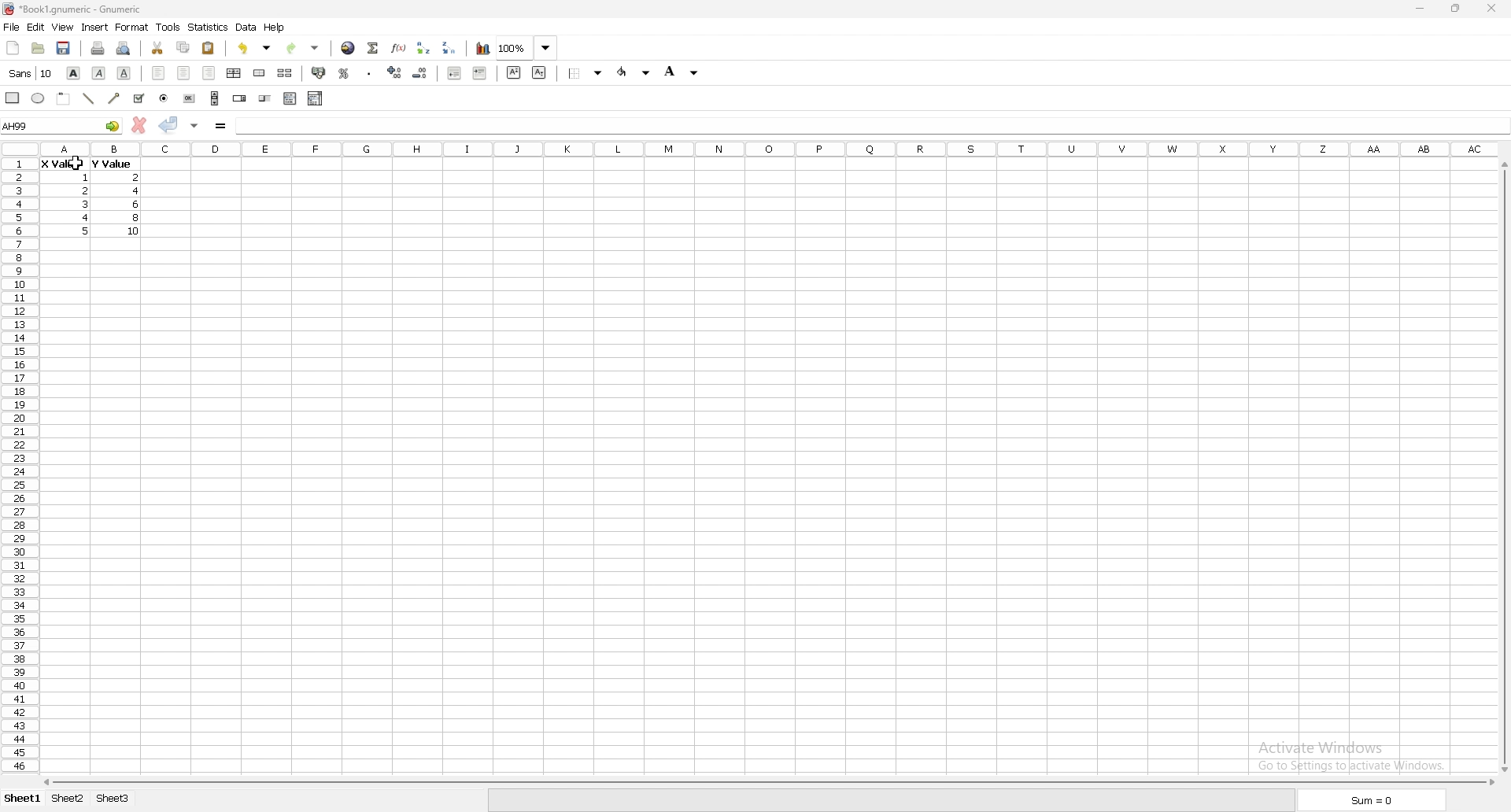 The width and height of the screenshot is (1511, 812). Describe the element at coordinates (344, 73) in the screenshot. I see `percentage` at that location.